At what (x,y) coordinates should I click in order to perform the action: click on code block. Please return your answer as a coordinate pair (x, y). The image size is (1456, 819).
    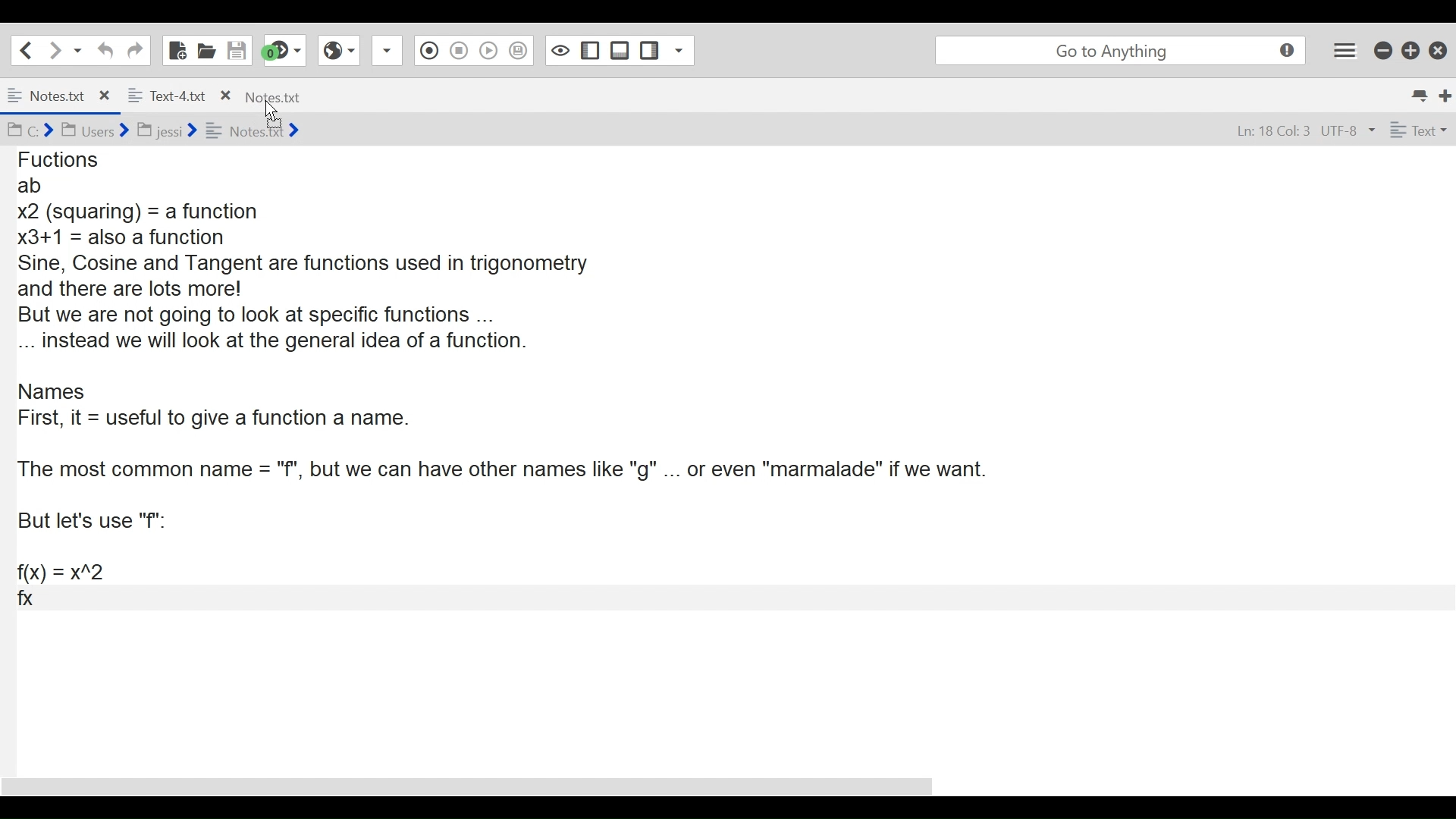
    Looking at the image, I should click on (707, 426).